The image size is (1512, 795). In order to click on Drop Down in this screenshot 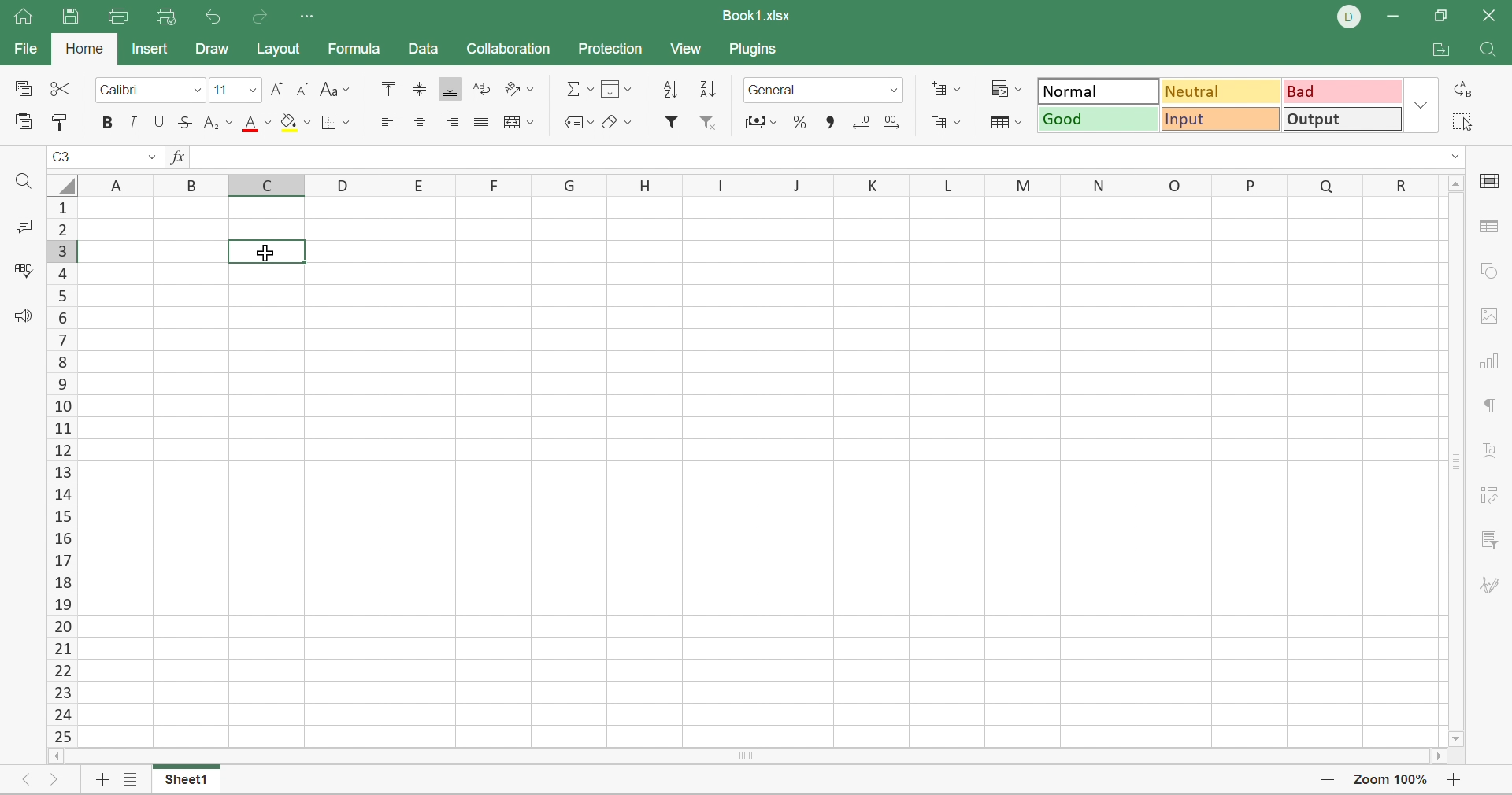, I will do `click(1420, 105)`.